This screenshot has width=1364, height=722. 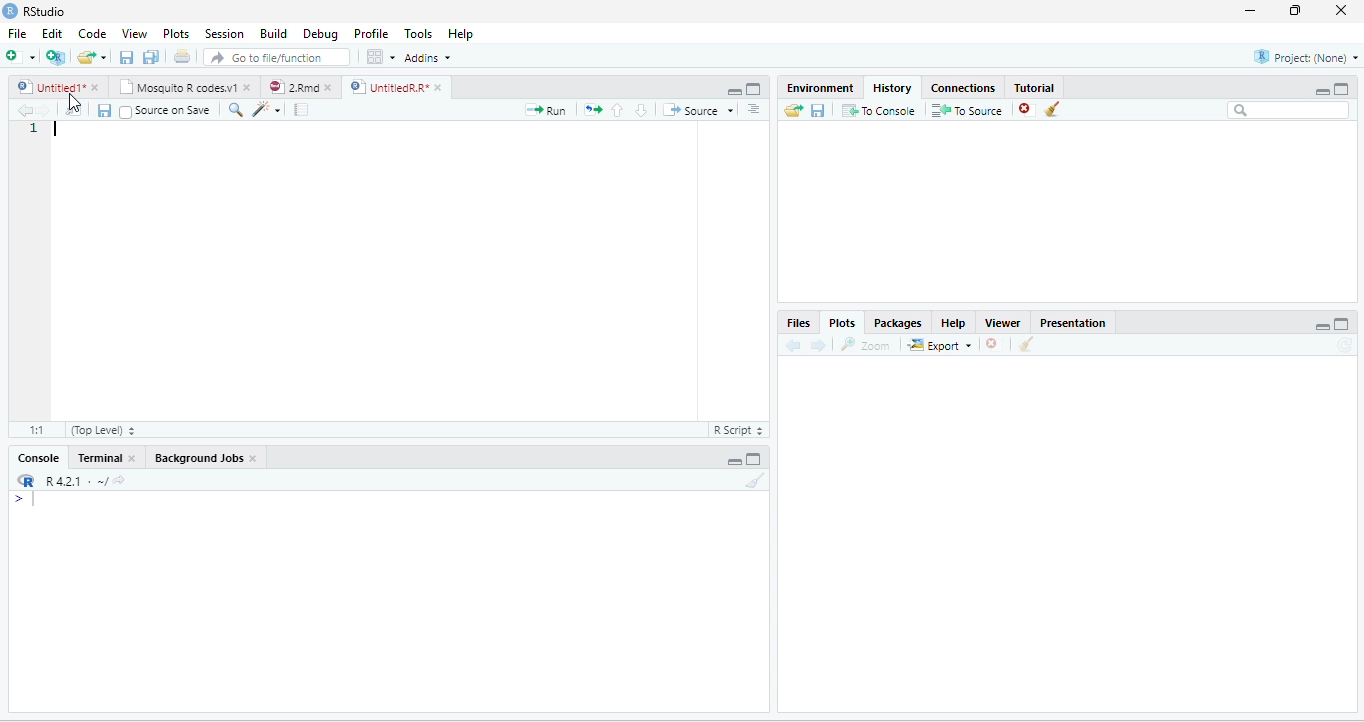 What do you see at coordinates (95, 87) in the screenshot?
I see `close` at bounding box center [95, 87].